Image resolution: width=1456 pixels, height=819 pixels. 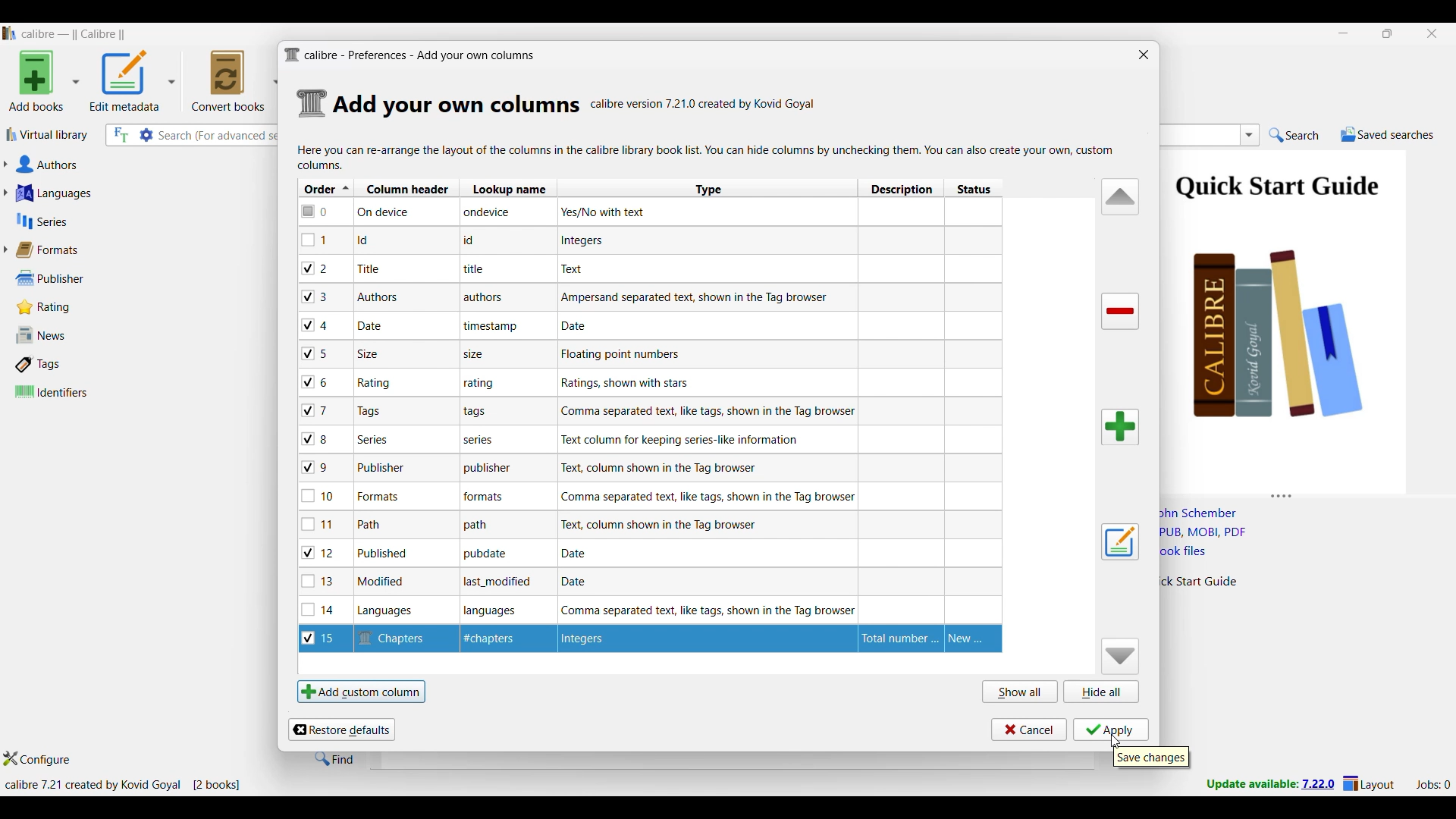 What do you see at coordinates (385, 582) in the screenshot?
I see `Note` at bounding box center [385, 582].